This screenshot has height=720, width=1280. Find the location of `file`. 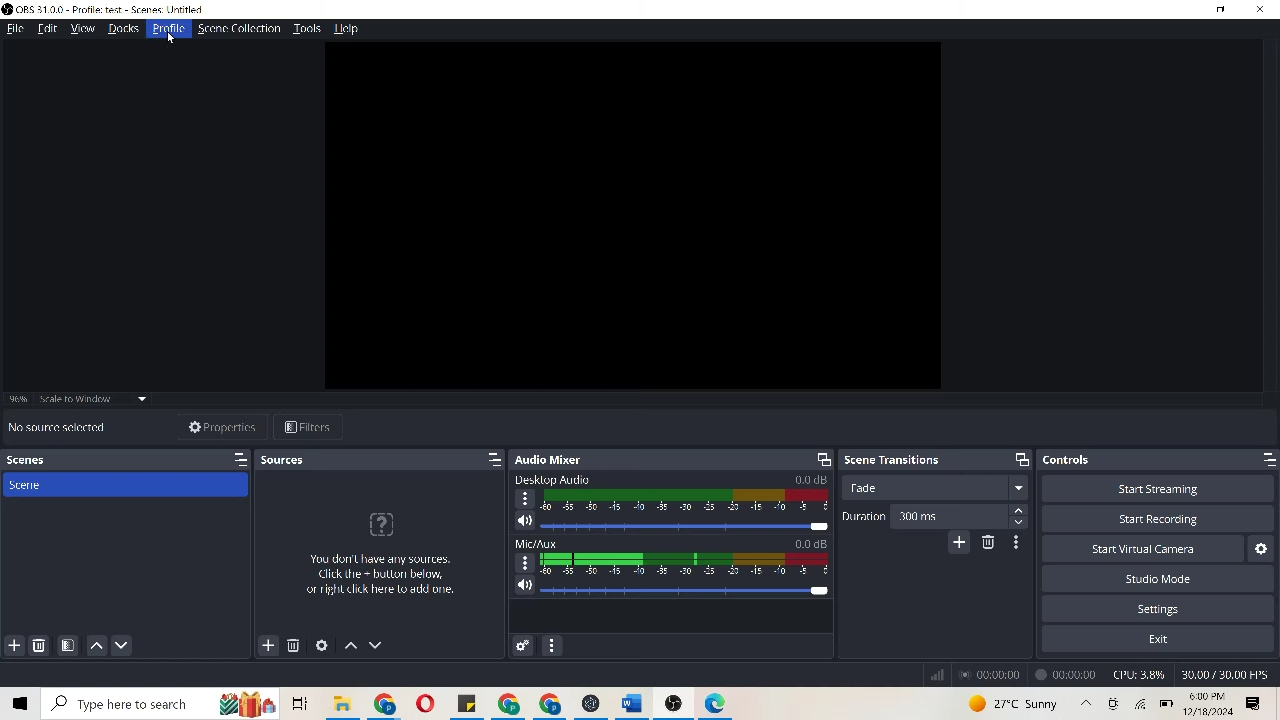

file is located at coordinates (470, 705).